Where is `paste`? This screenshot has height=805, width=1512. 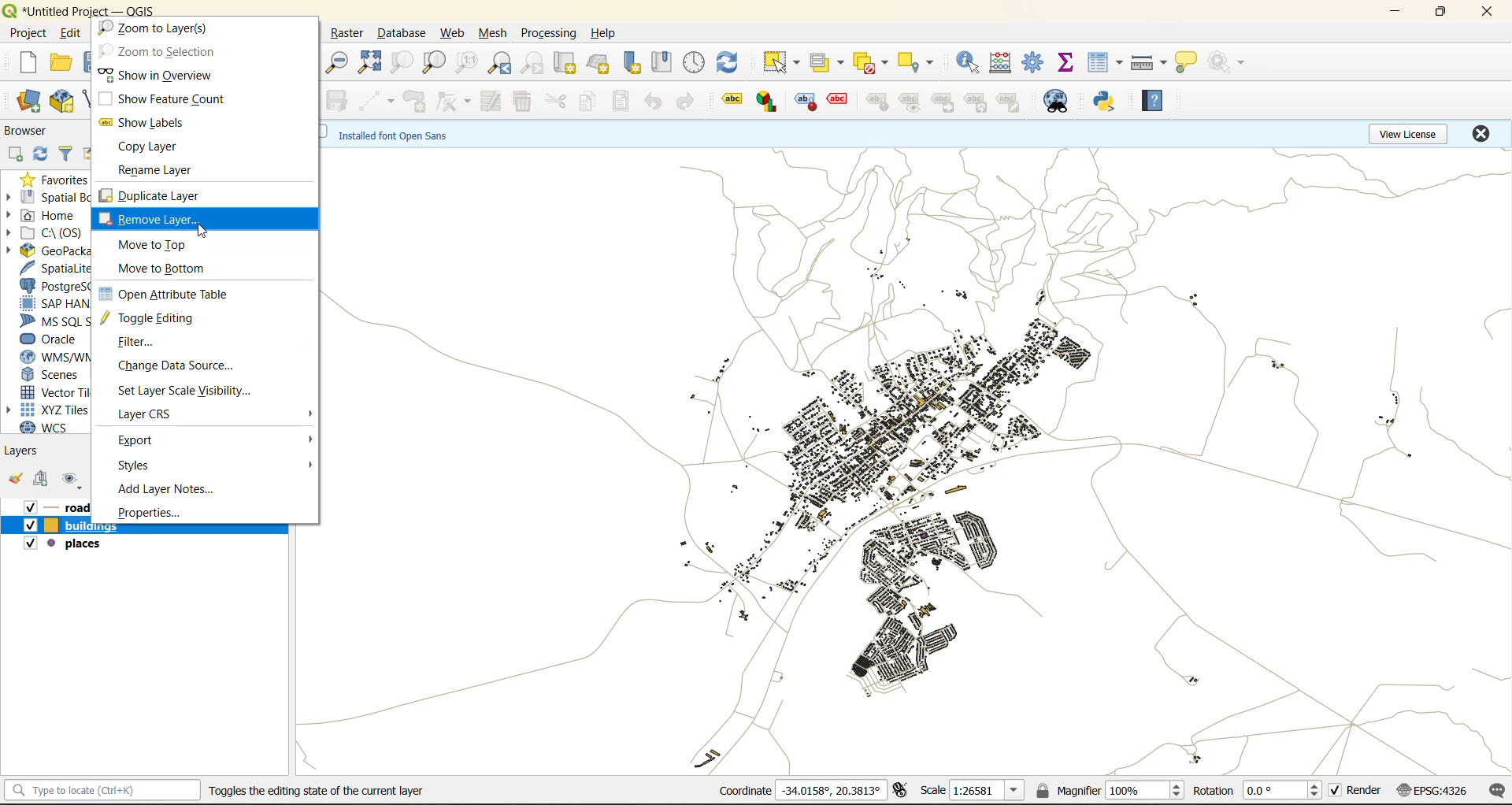
paste is located at coordinates (624, 102).